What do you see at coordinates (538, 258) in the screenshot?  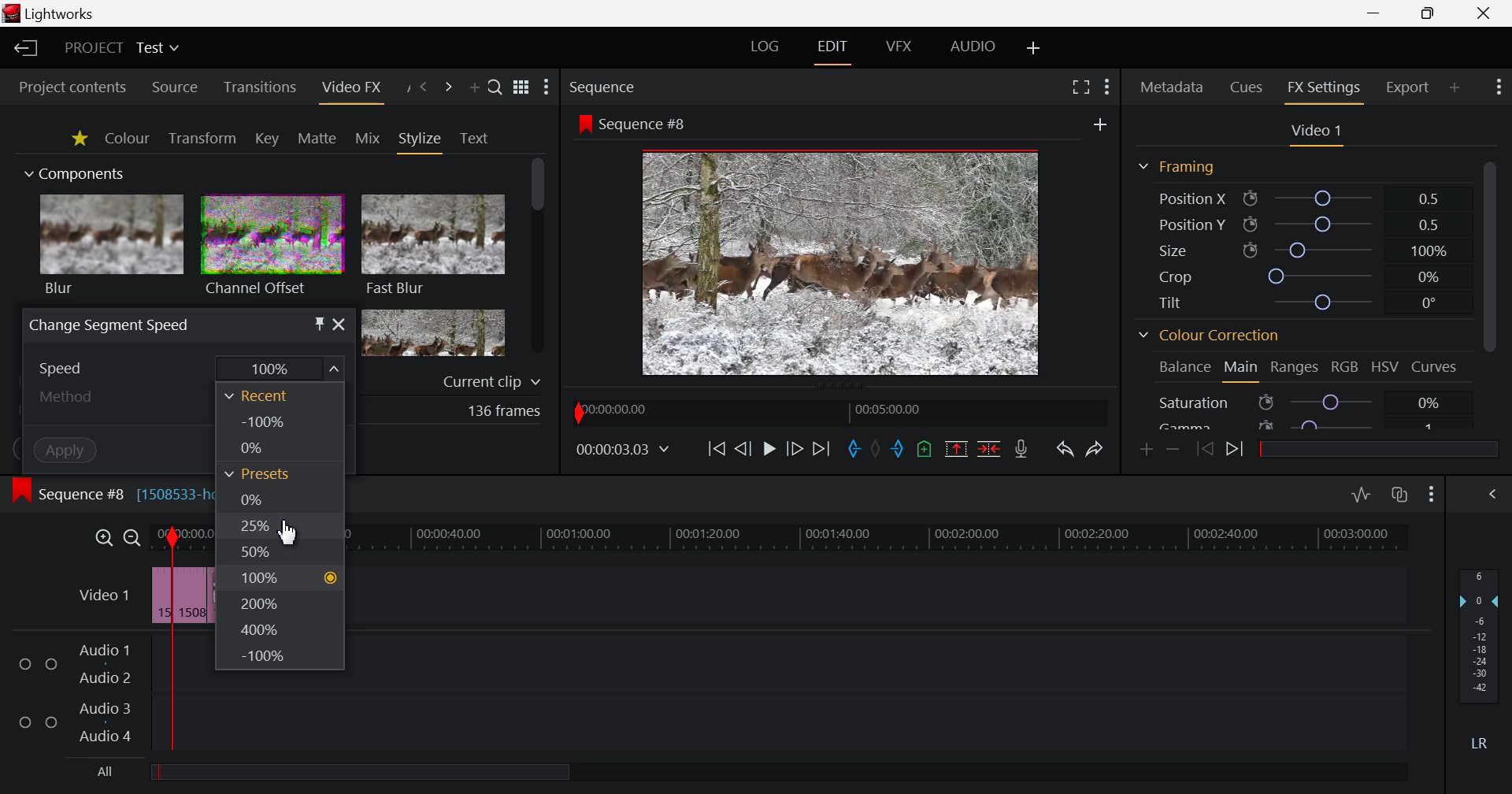 I see `Scroll Bar` at bounding box center [538, 258].